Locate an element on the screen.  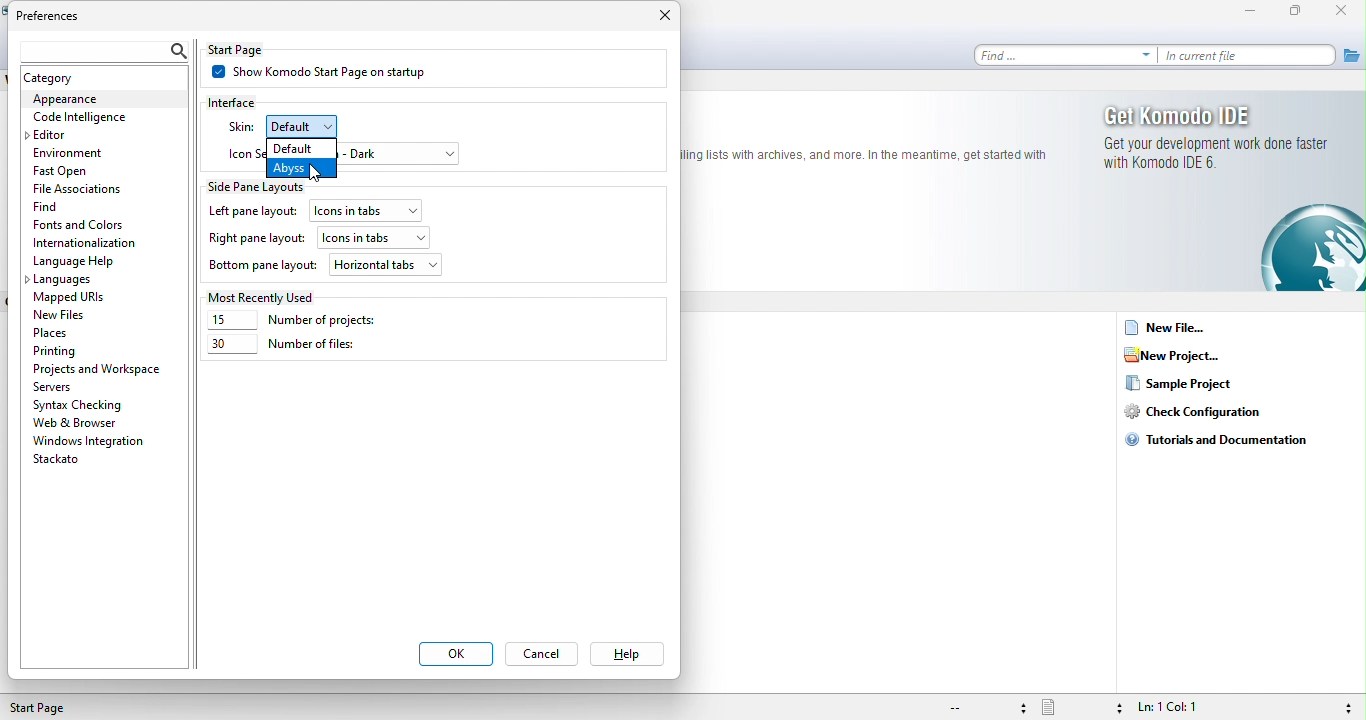
new project is located at coordinates (1179, 356).